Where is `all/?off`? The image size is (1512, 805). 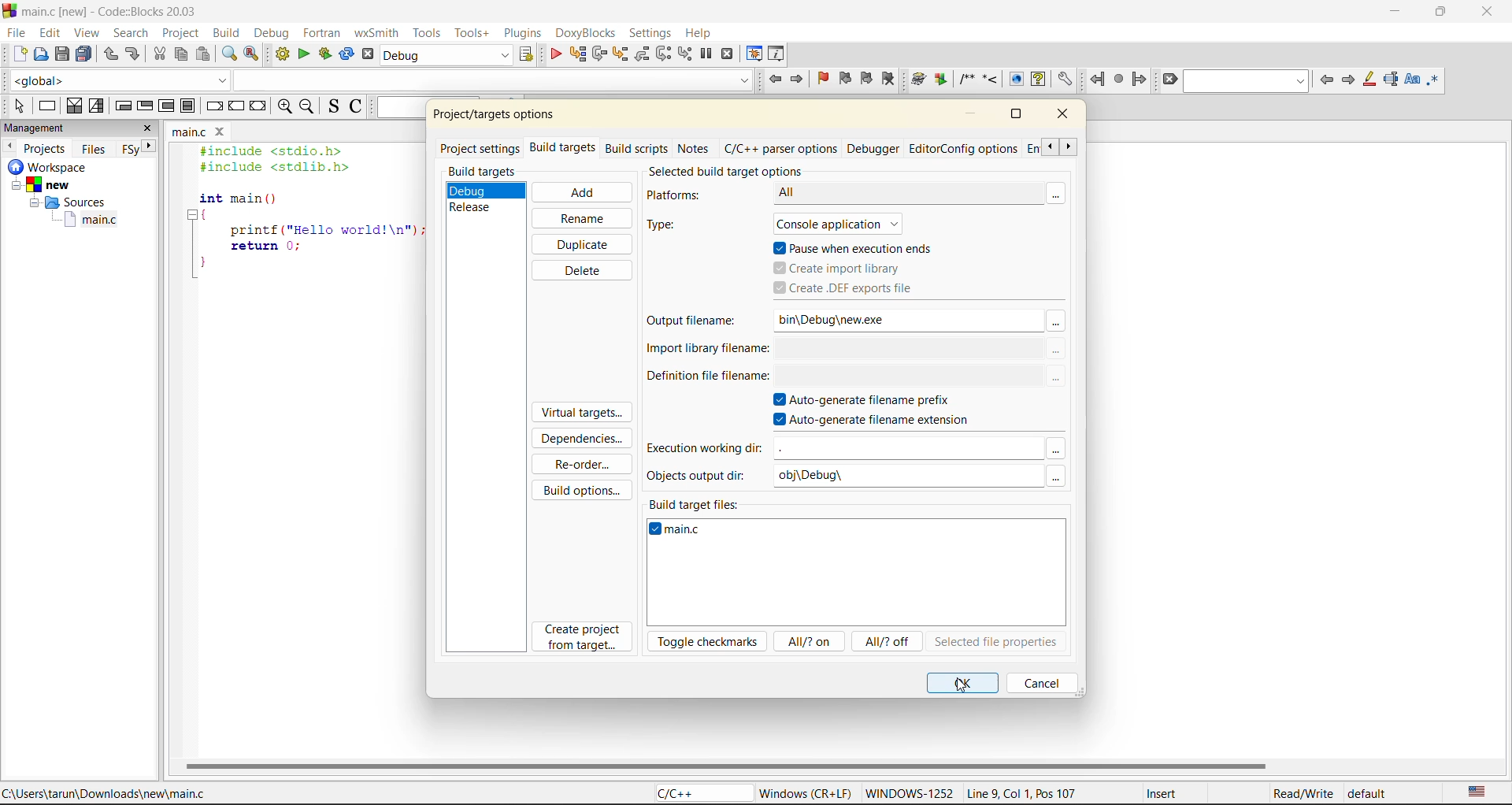 all/?off is located at coordinates (889, 643).